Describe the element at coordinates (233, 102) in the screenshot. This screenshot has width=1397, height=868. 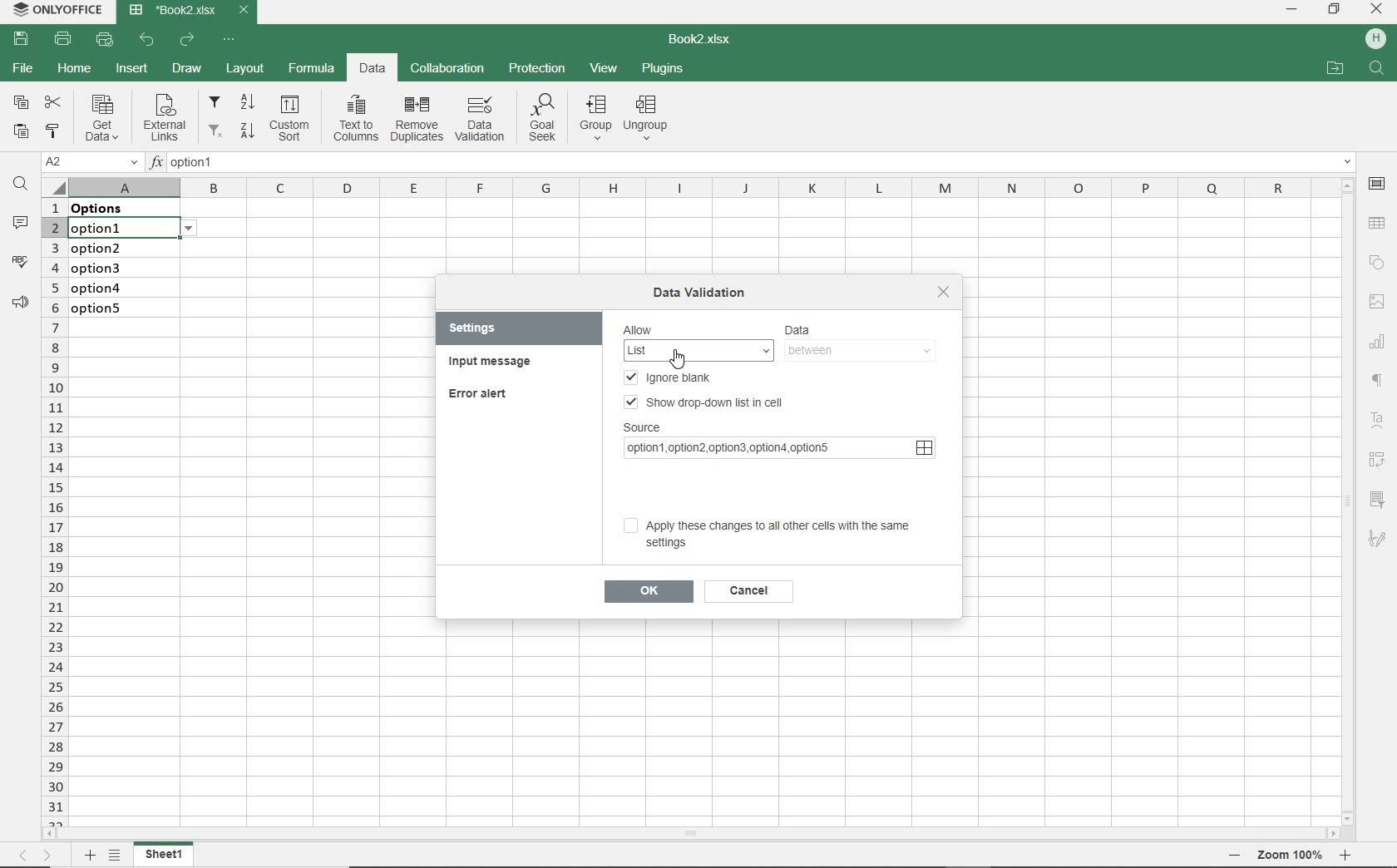
I see `filter from A to Z` at that location.